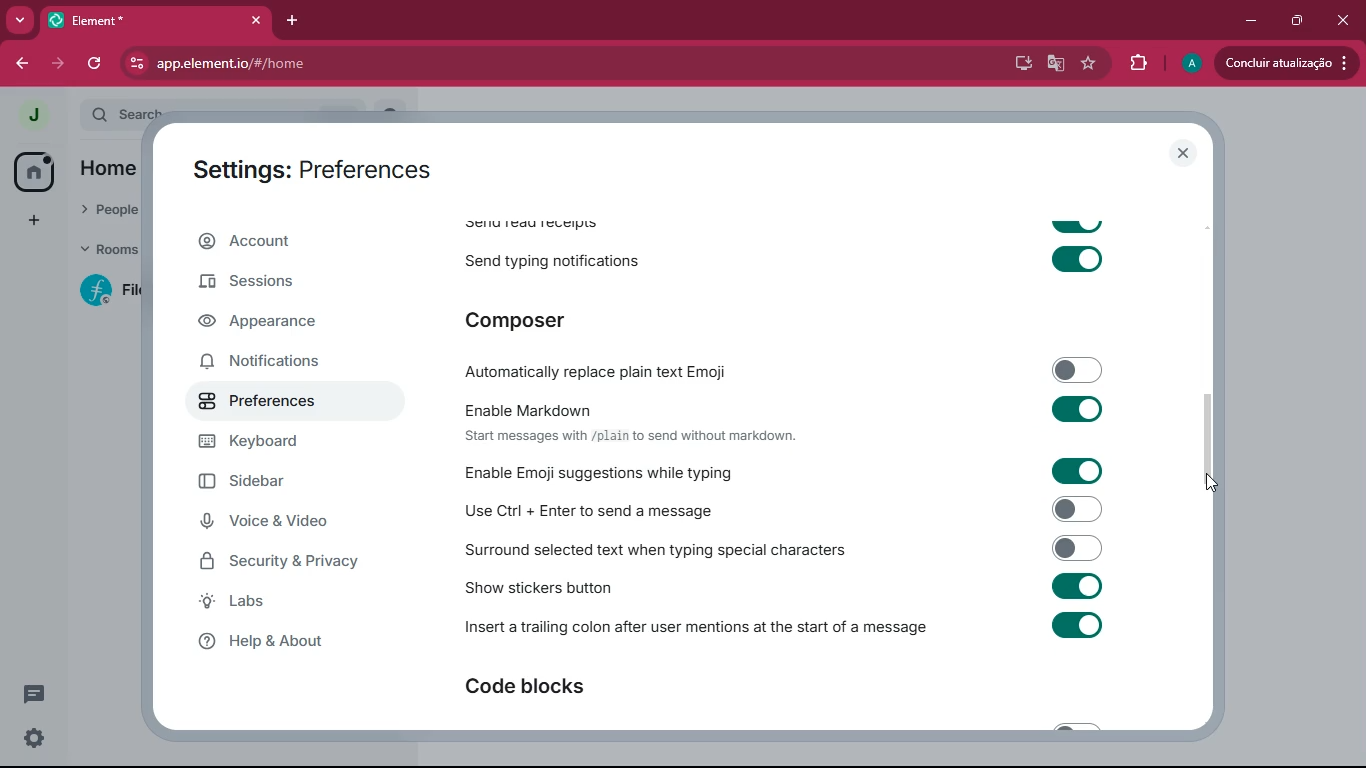 This screenshot has height=768, width=1366. What do you see at coordinates (1295, 20) in the screenshot?
I see `maximize` at bounding box center [1295, 20].